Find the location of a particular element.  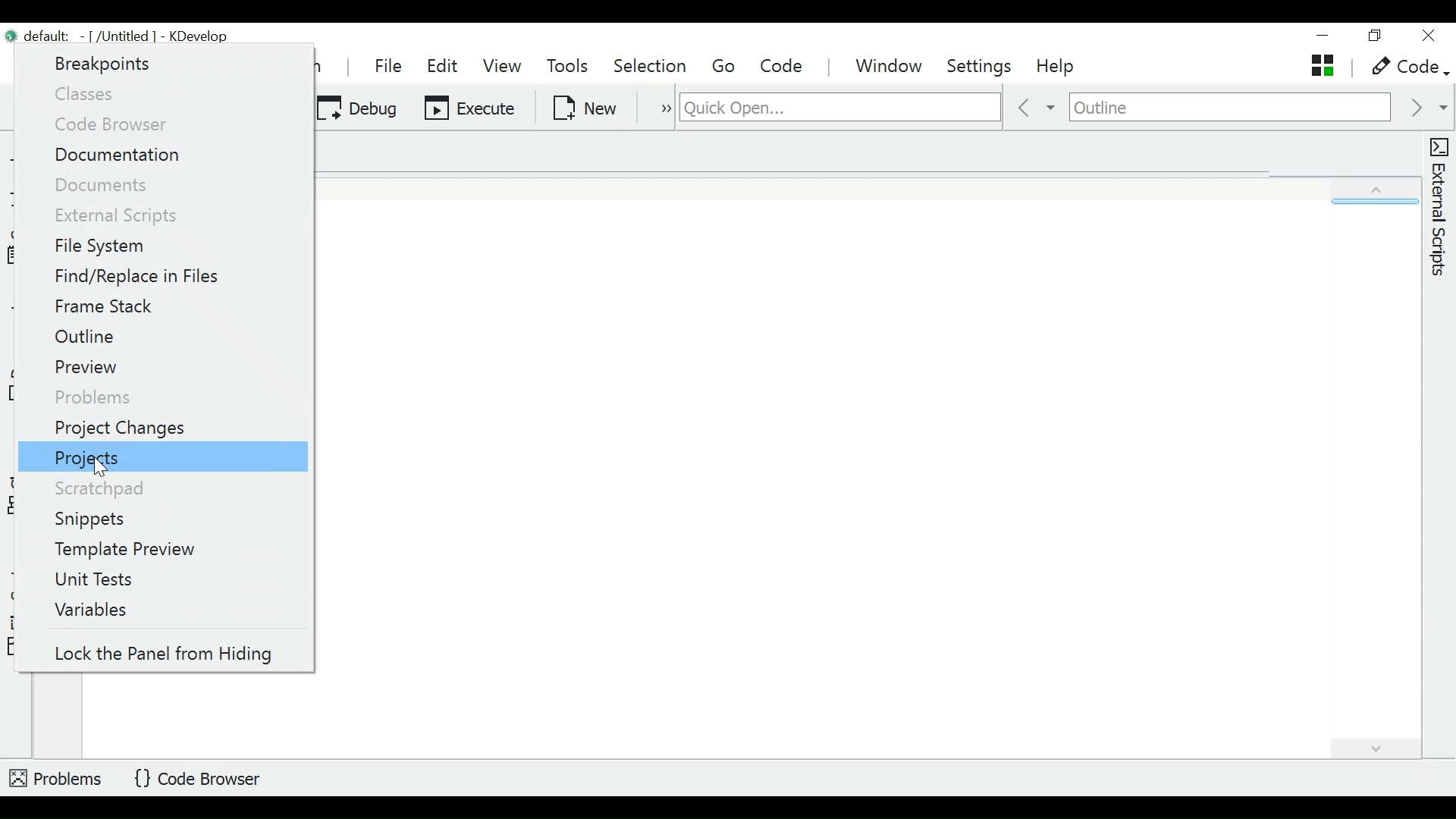

Selection is located at coordinates (652, 67).